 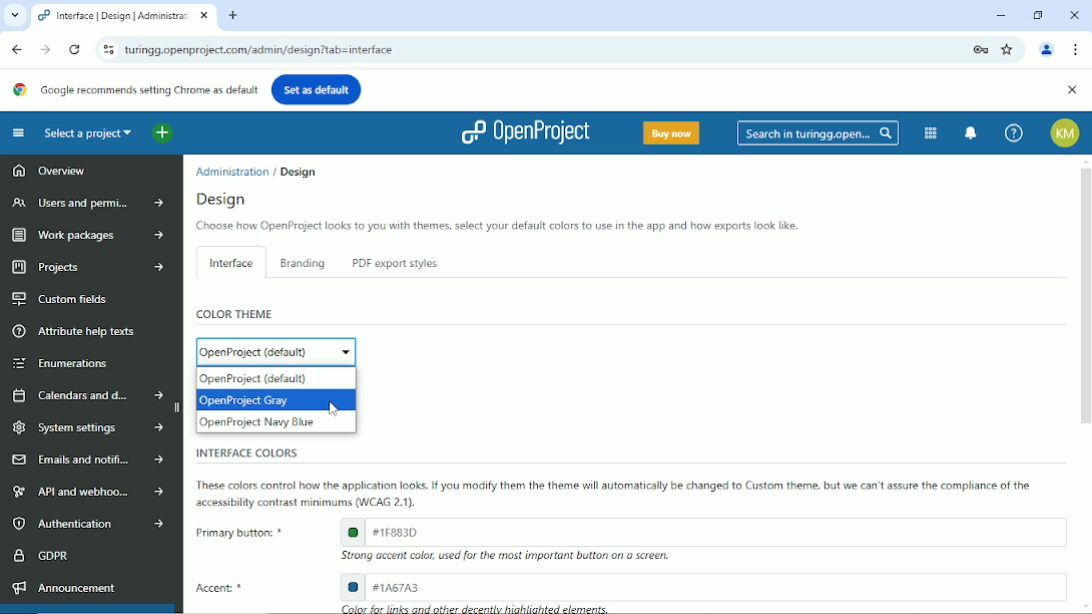 I want to click on Work packages, so click(x=83, y=235).